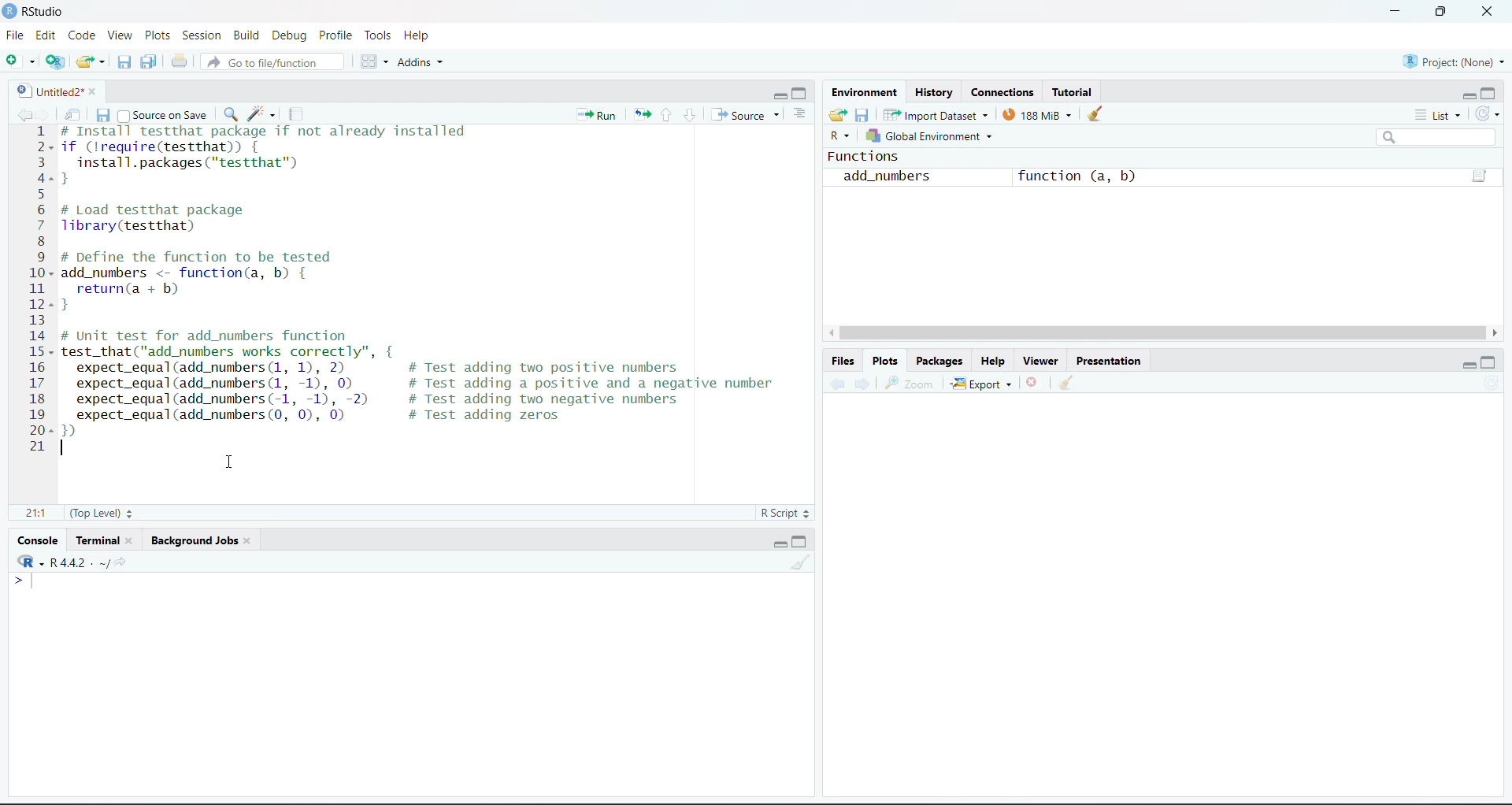 The image size is (1512, 805). Describe the element at coordinates (289, 35) in the screenshot. I see `Debug` at that location.